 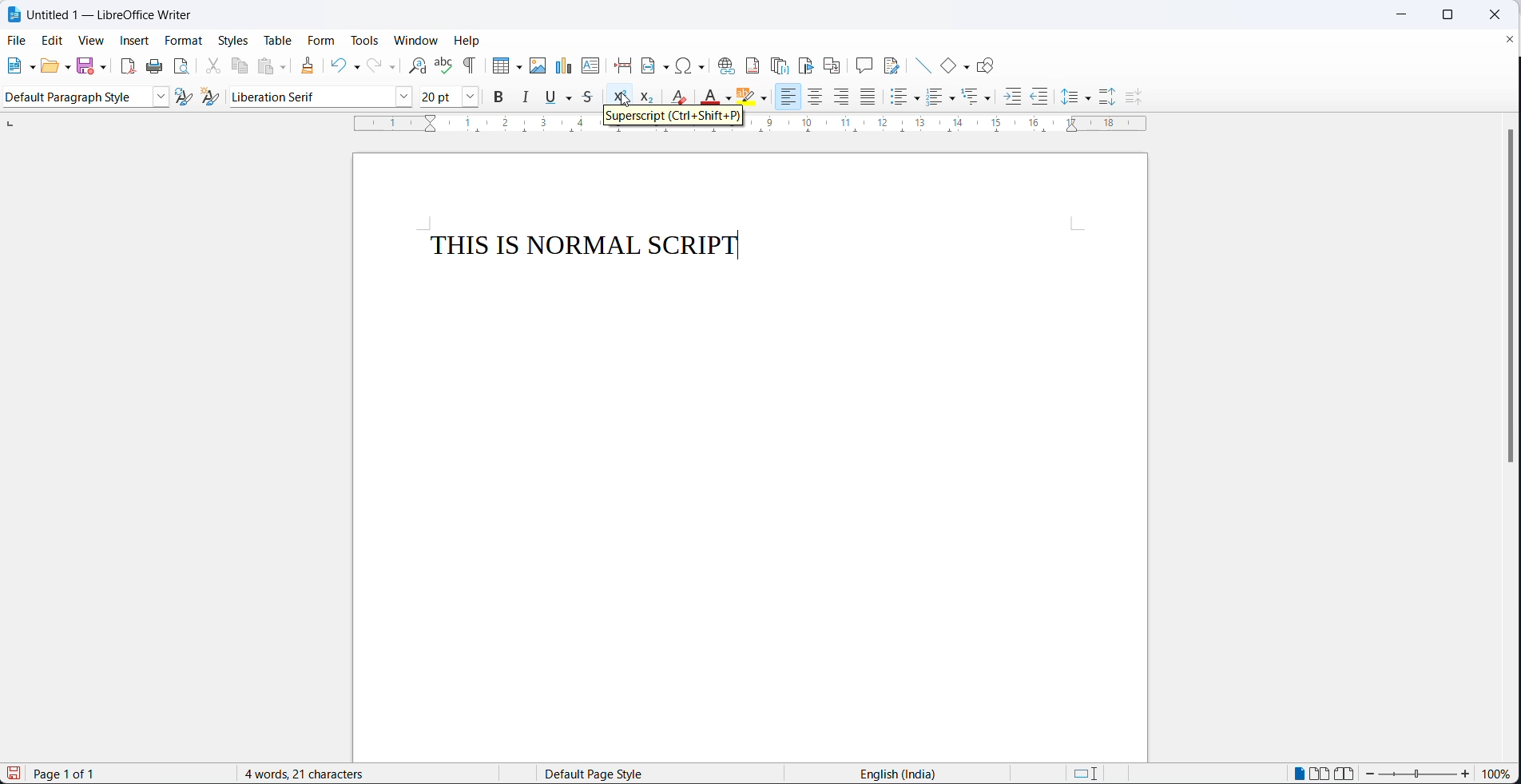 I want to click on single page view, so click(x=1301, y=773).